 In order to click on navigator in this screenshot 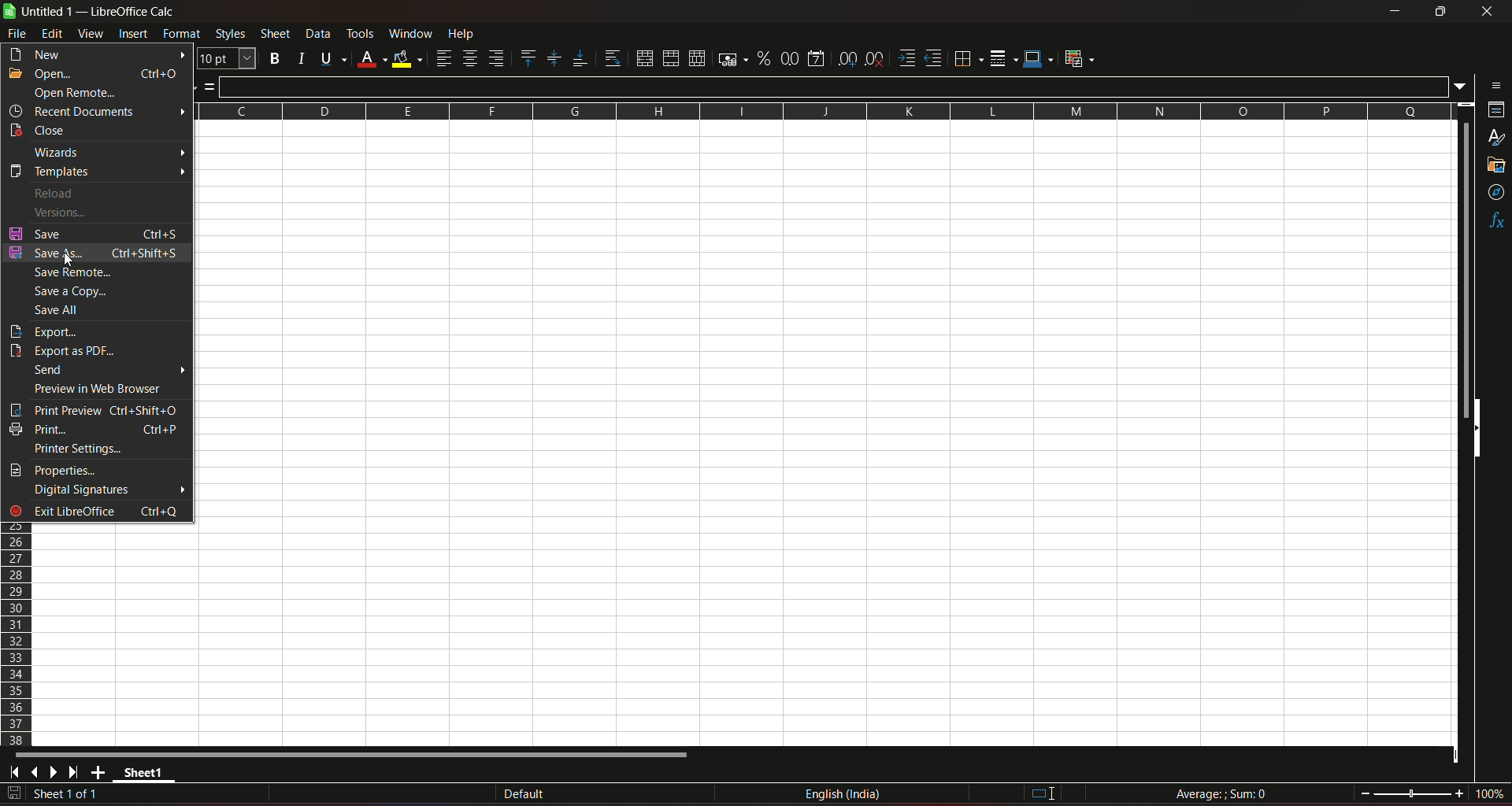, I will do `click(1495, 192)`.